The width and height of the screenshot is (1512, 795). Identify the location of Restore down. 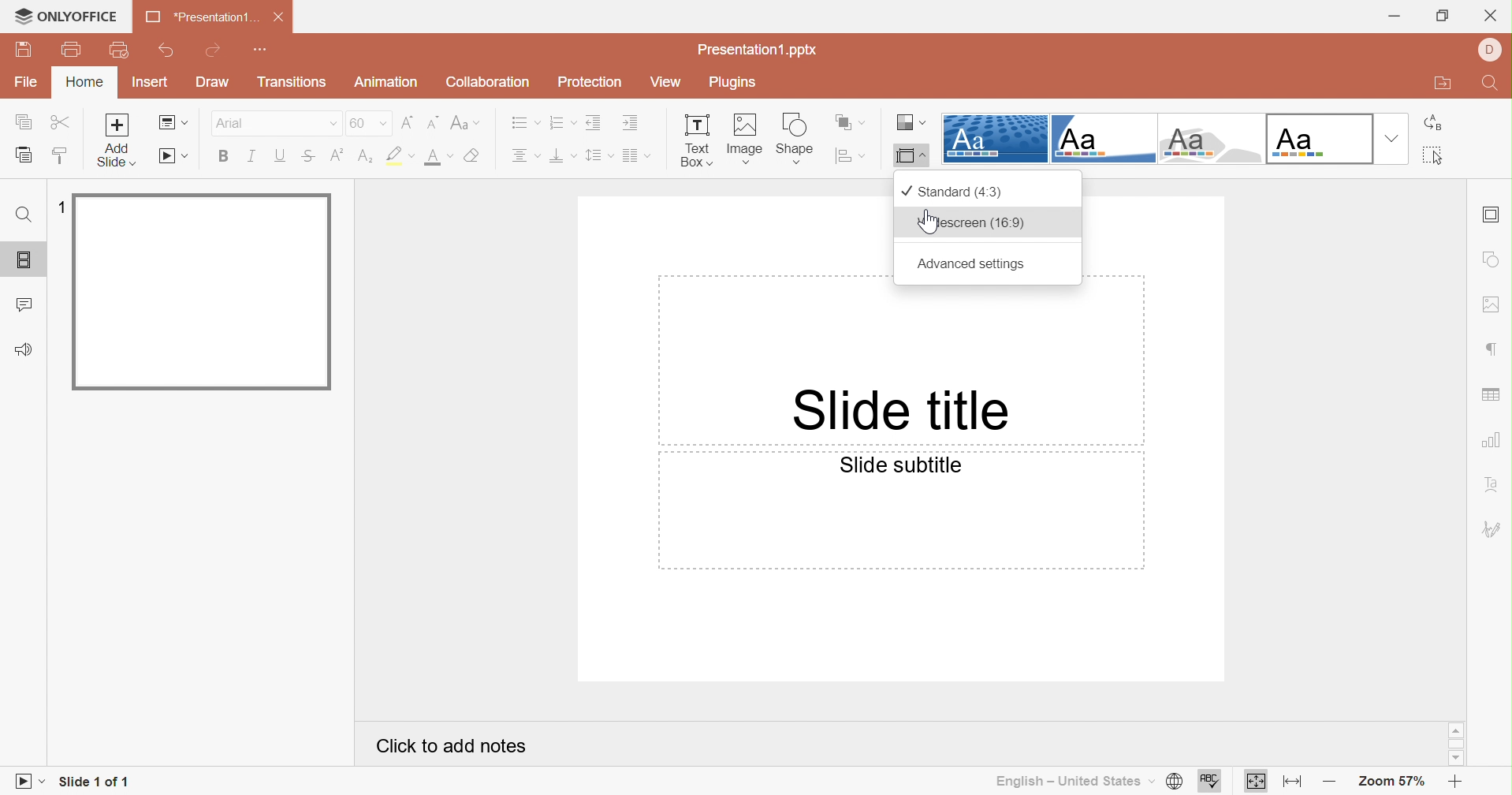
(1444, 17).